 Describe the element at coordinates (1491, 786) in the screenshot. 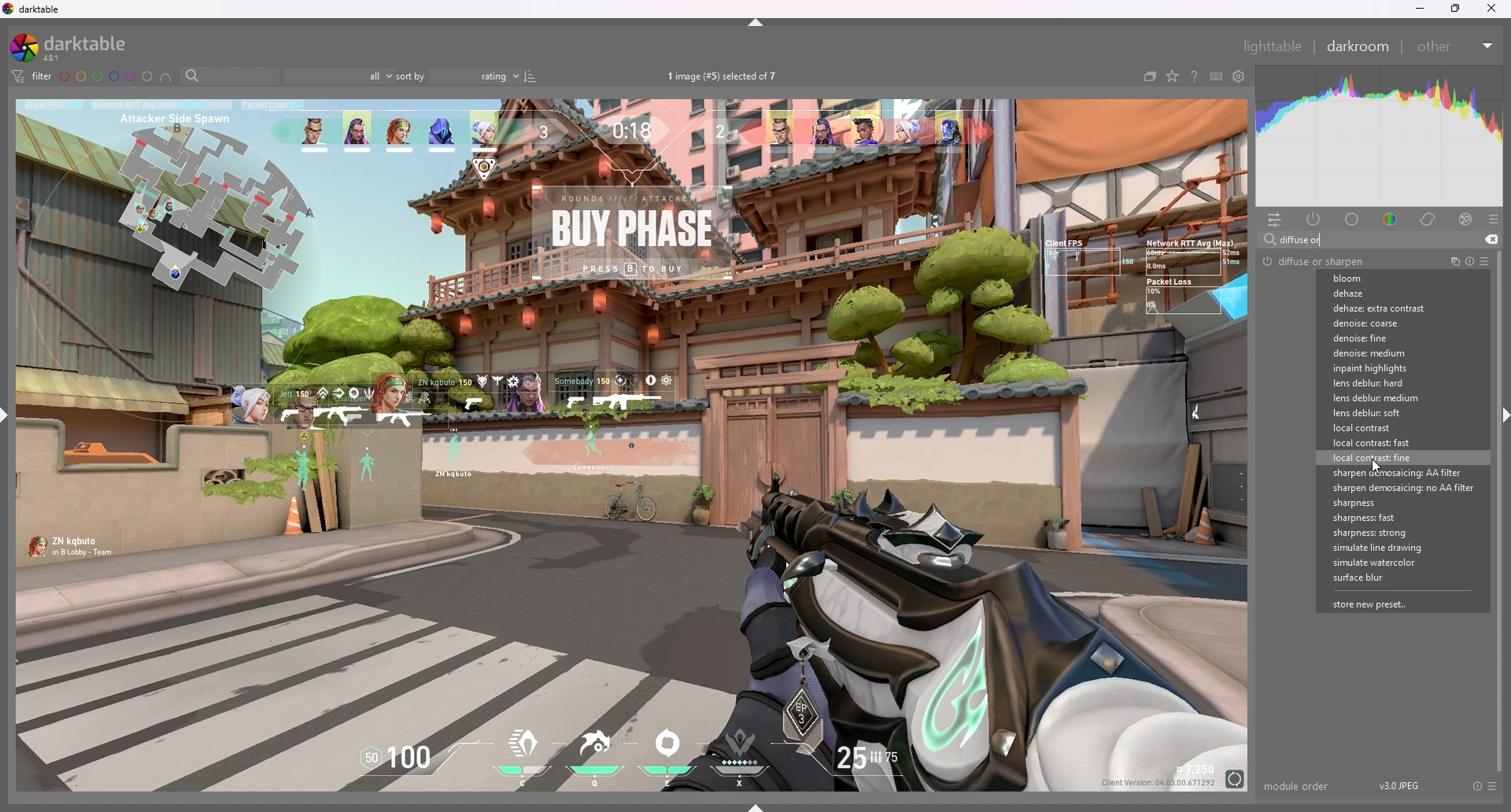

I see `presets` at that location.